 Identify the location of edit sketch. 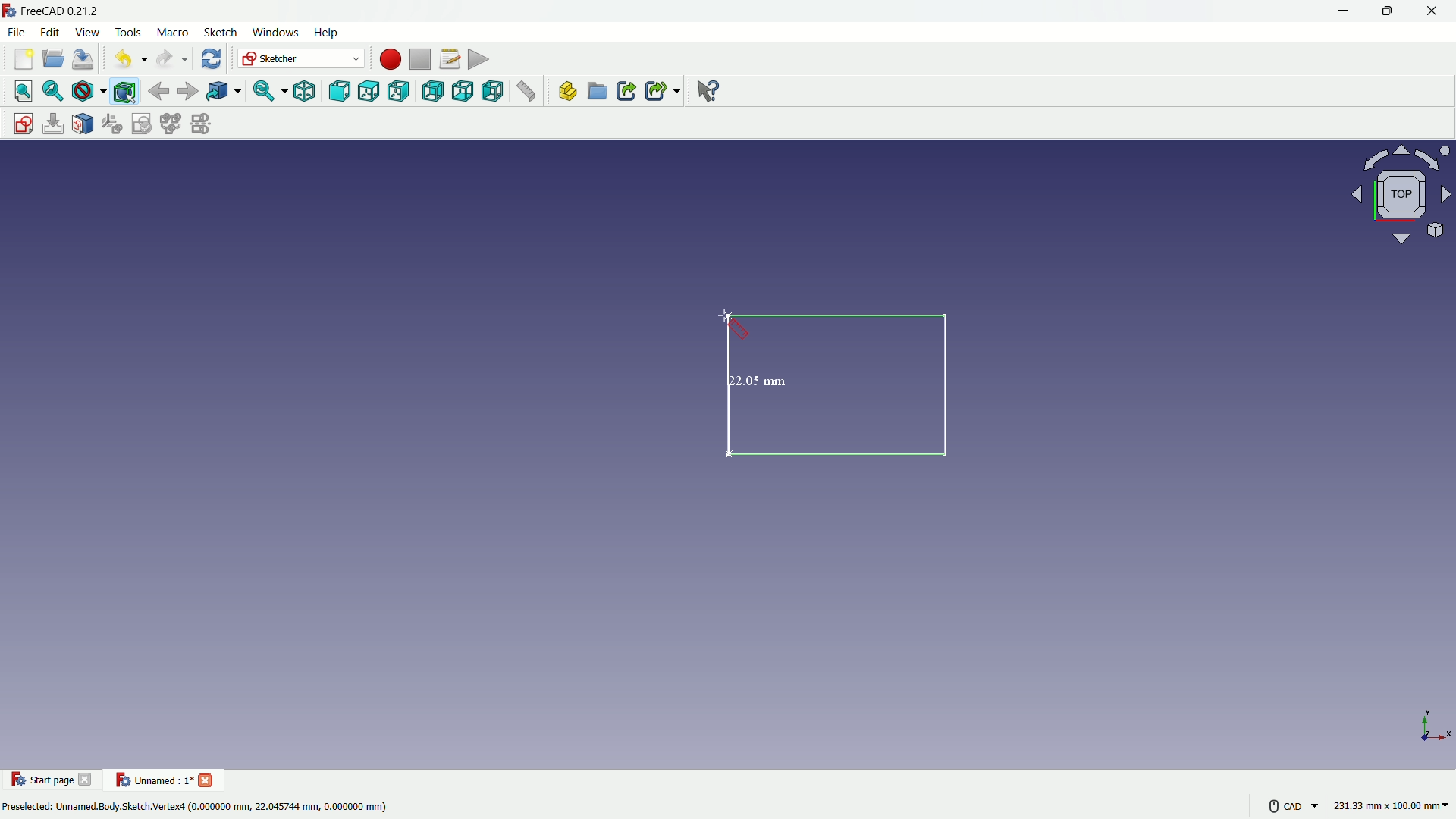
(52, 124).